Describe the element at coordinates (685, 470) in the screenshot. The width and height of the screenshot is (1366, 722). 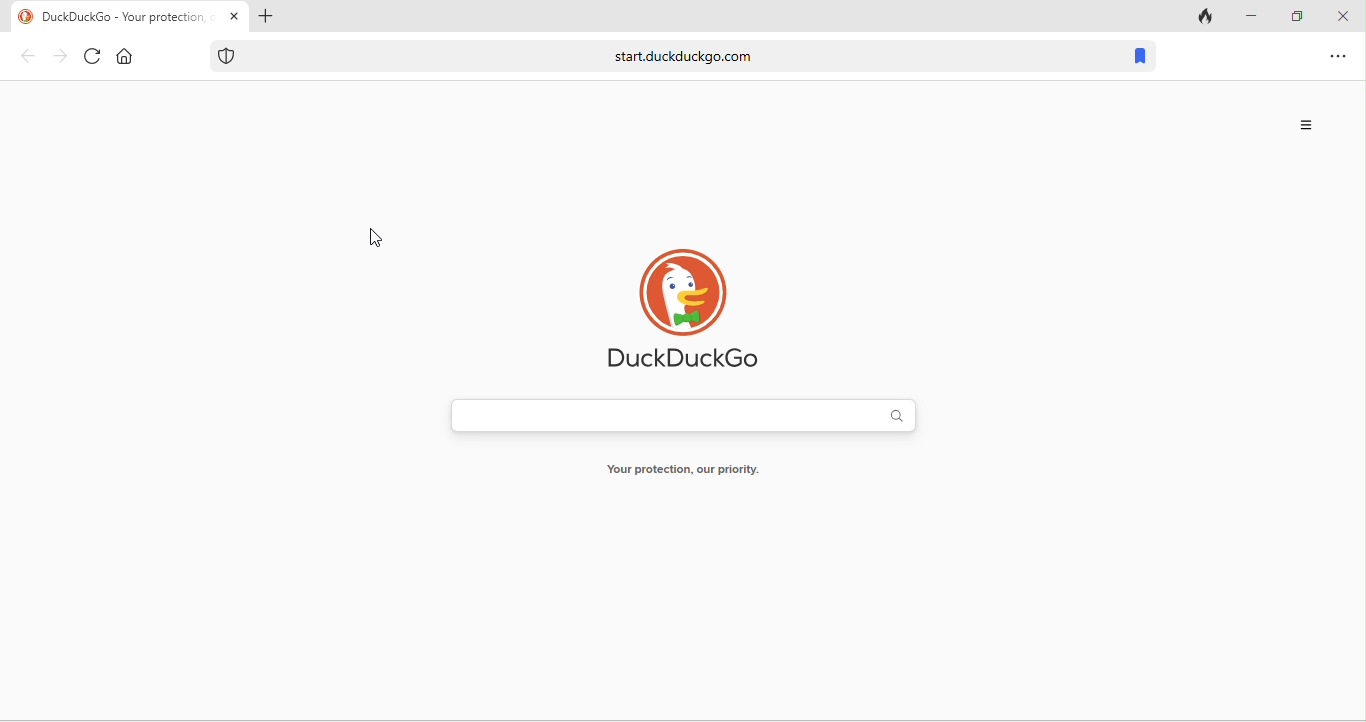
I see `Your protection our priority` at that location.